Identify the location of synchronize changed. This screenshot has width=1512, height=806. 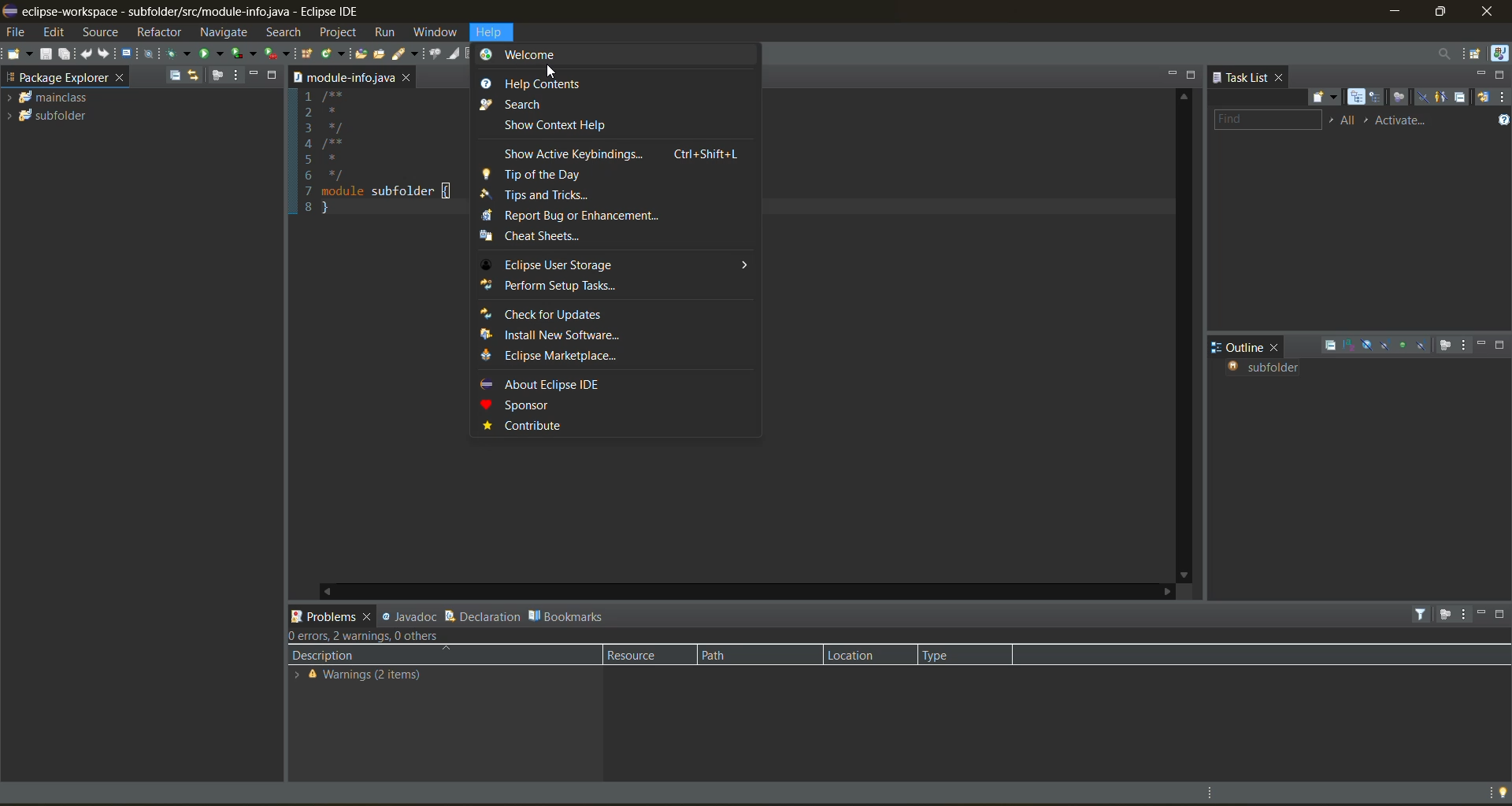
(1484, 97).